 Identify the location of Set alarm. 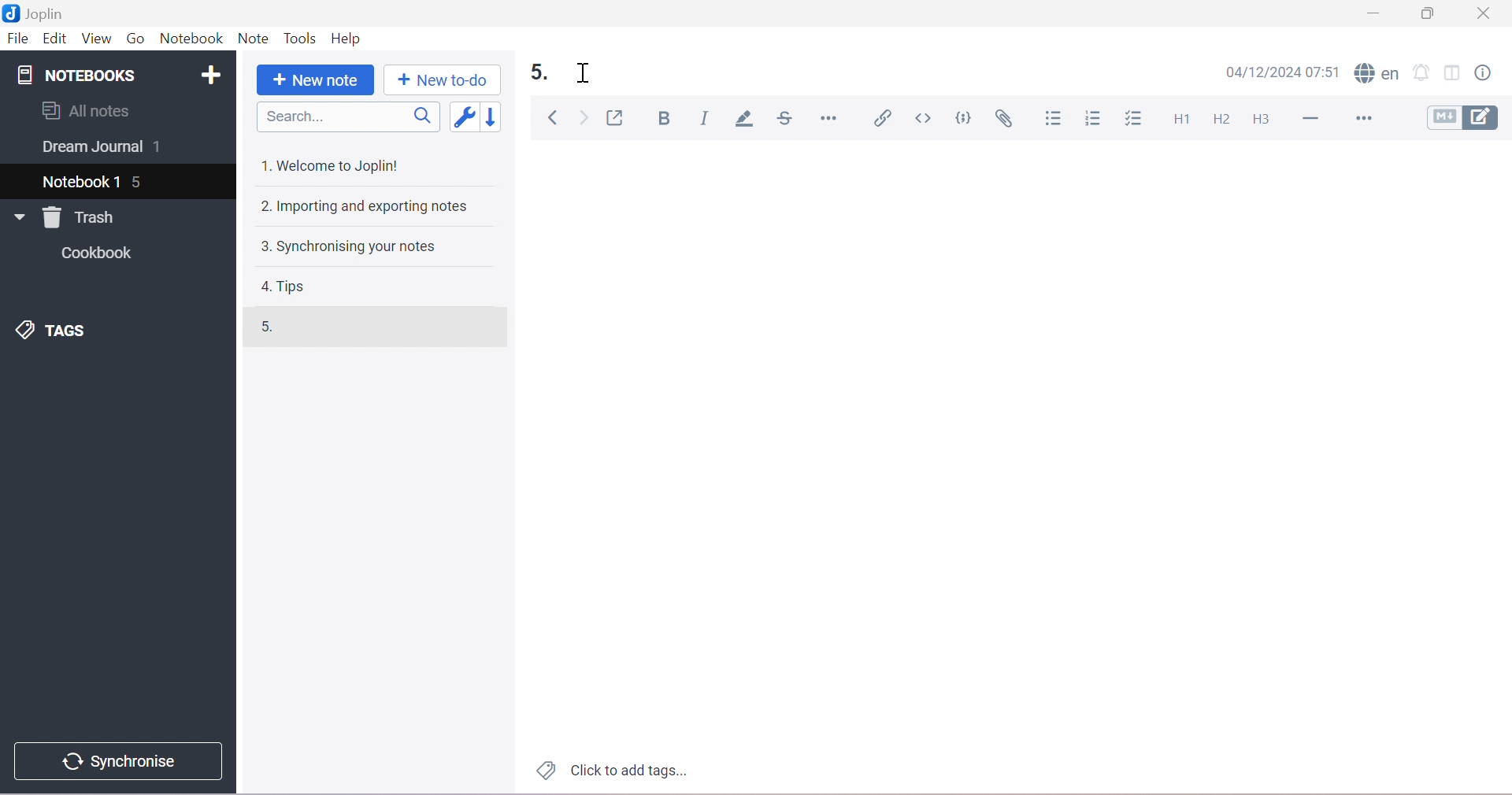
(1424, 73).